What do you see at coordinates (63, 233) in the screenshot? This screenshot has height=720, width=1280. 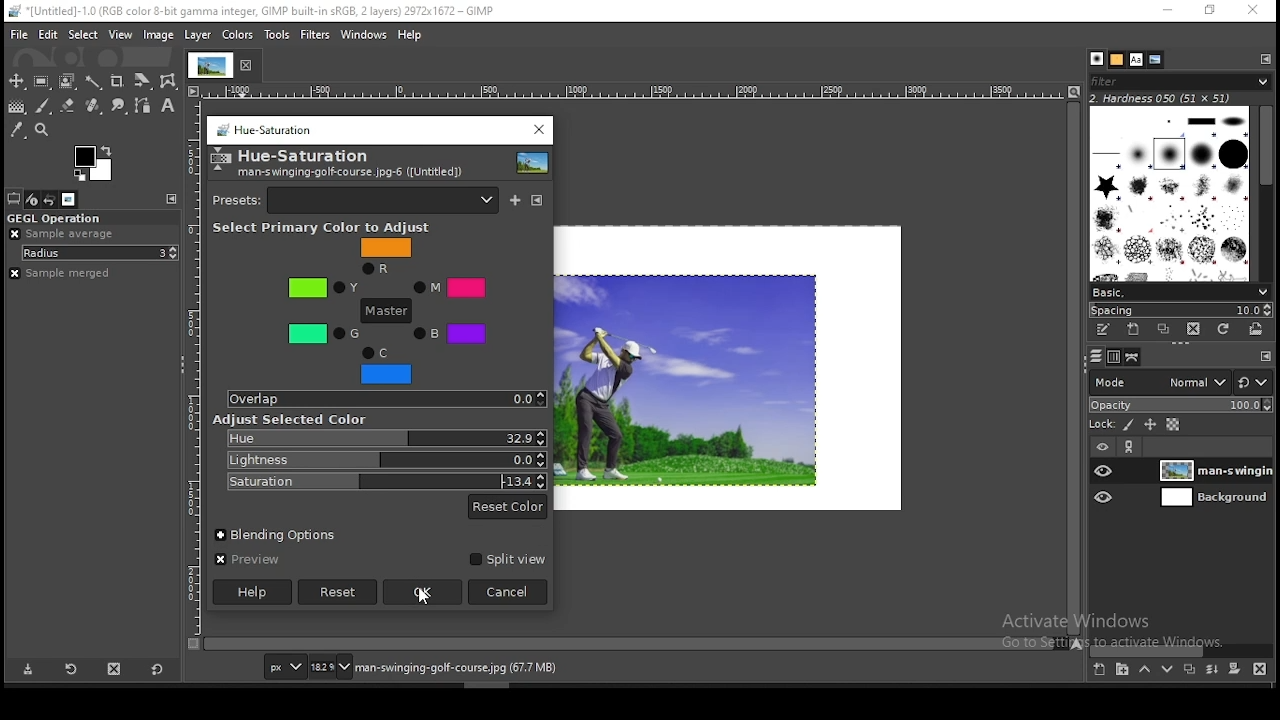 I see `ample average` at bounding box center [63, 233].